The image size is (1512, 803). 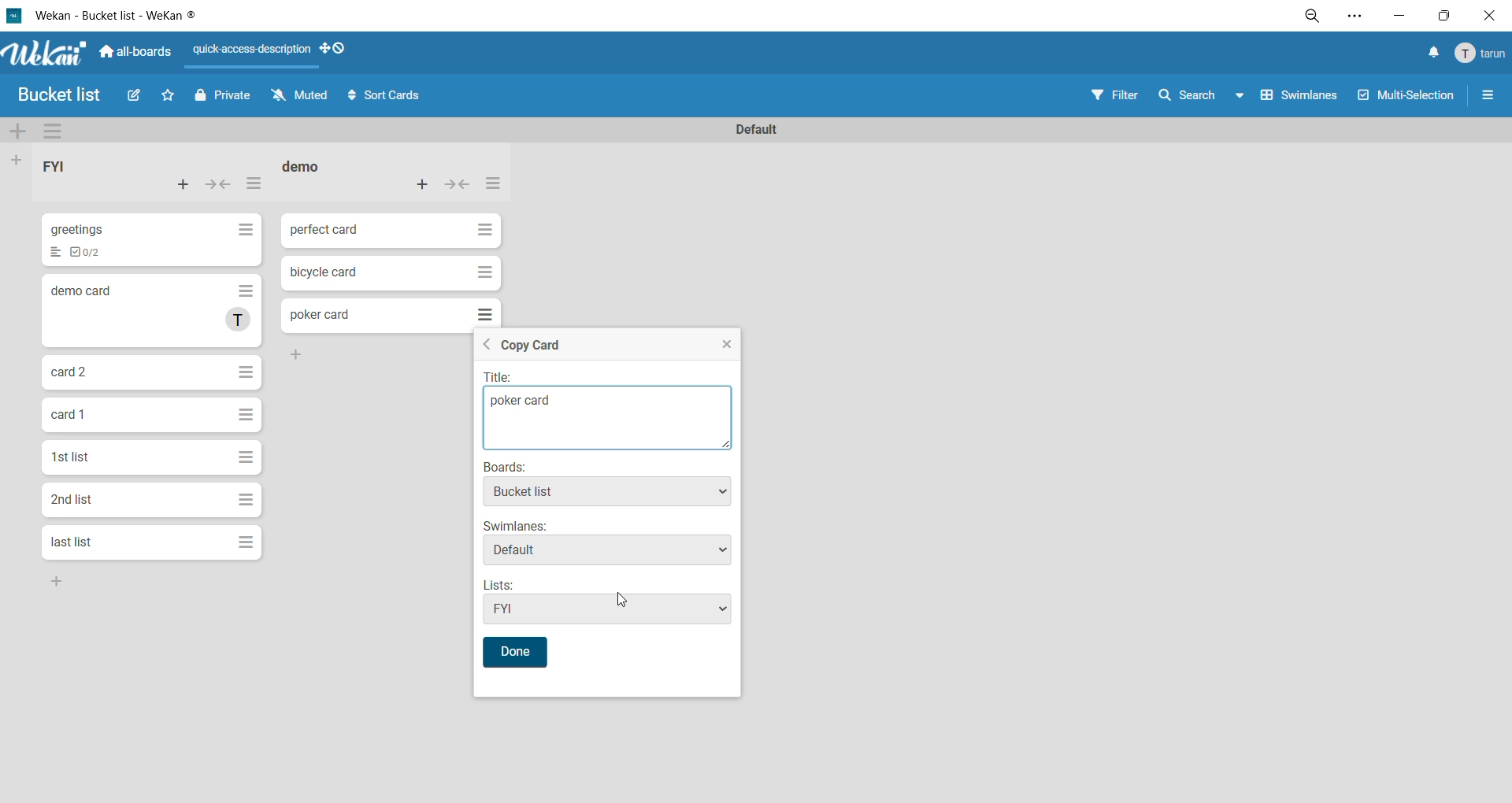 I want to click on Hamburger, so click(x=243, y=498).